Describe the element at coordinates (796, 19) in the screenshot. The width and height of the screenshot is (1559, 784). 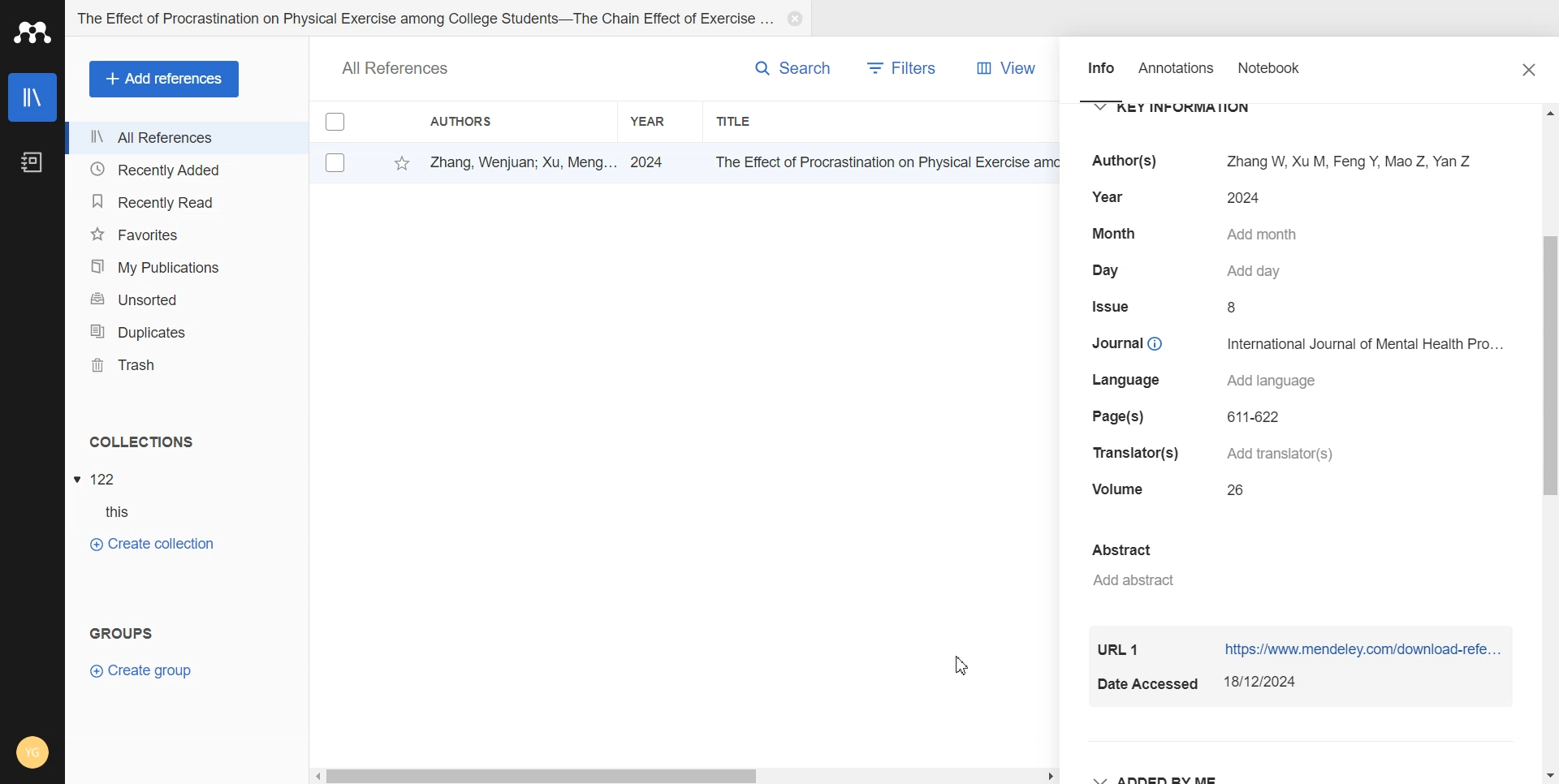
I see `Close` at that location.